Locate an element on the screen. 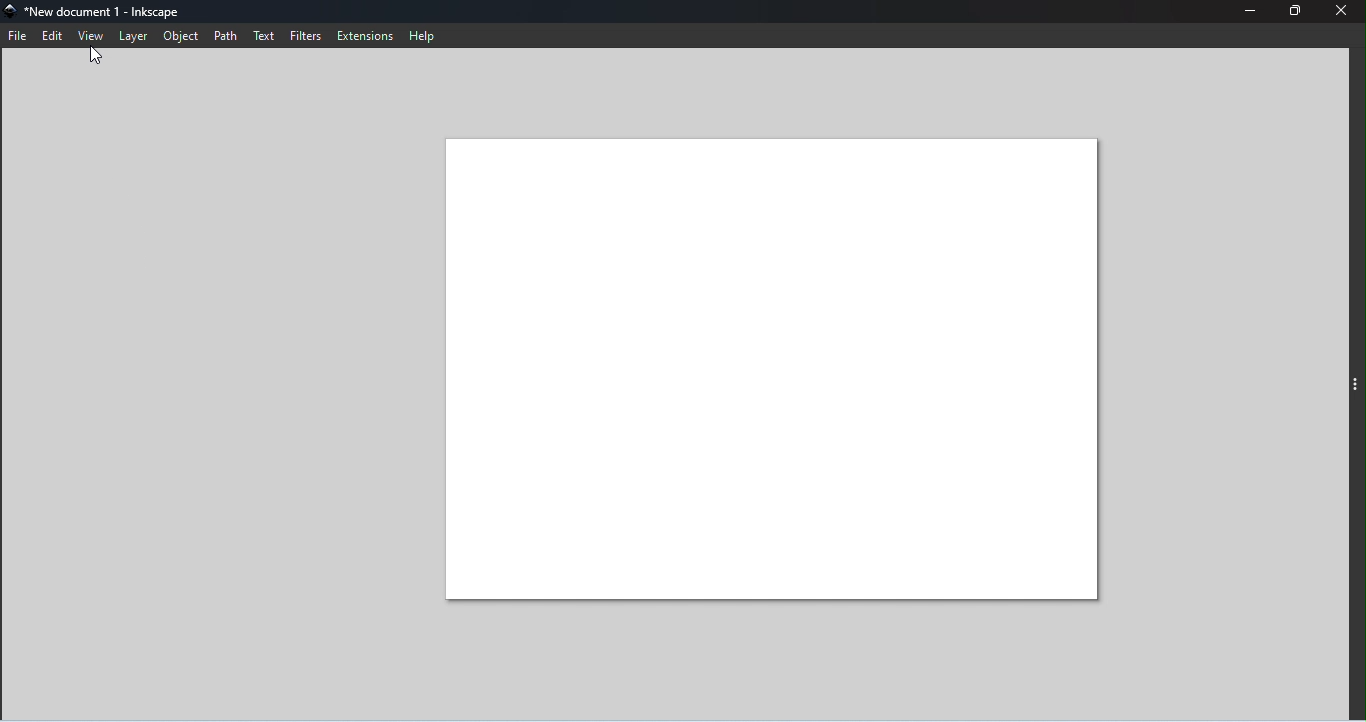  View is located at coordinates (91, 37).